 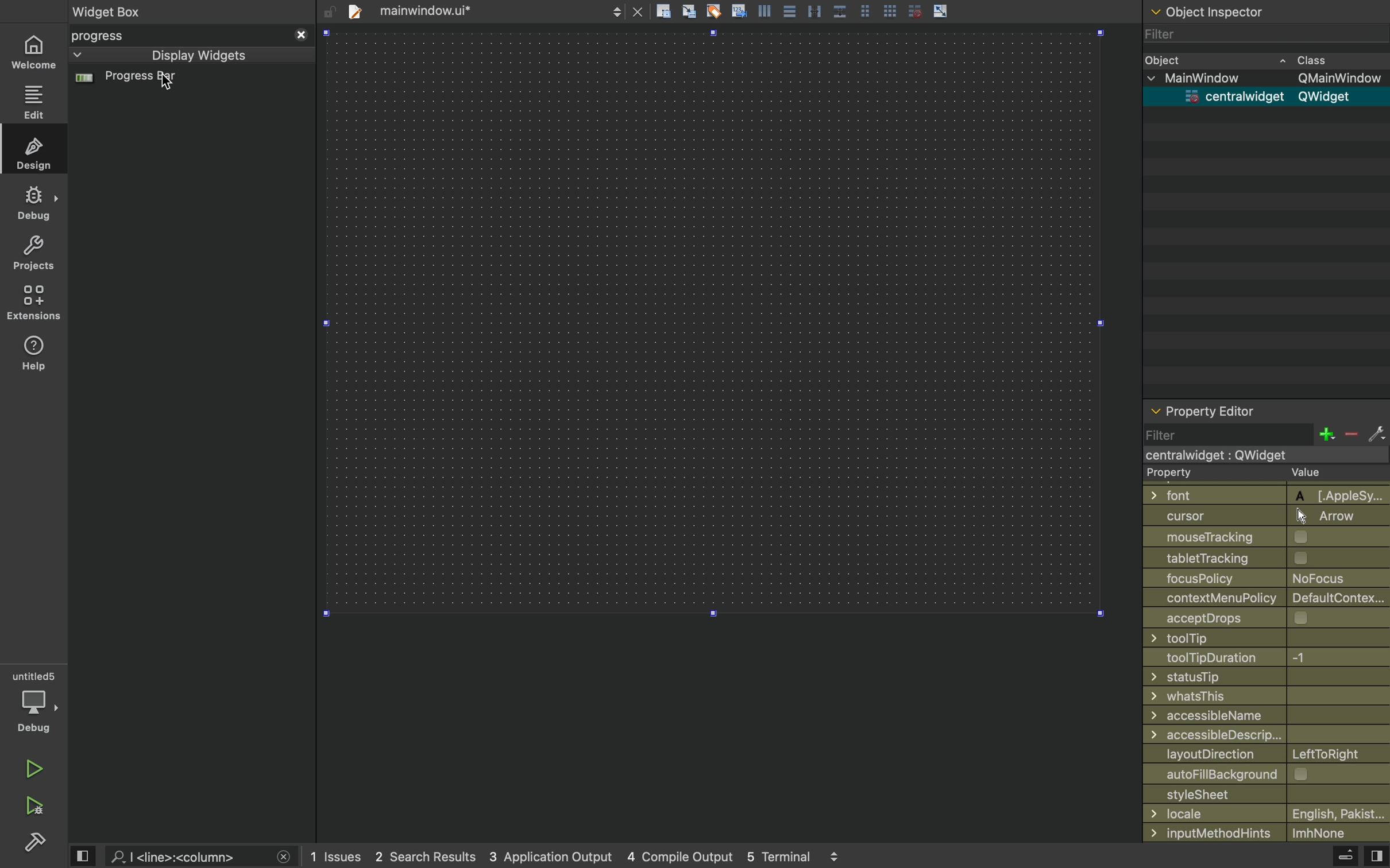 What do you see at coordinates (1267, 557) in the screenshot?
I see `tabletracking` at bounding box center [1267, 557].